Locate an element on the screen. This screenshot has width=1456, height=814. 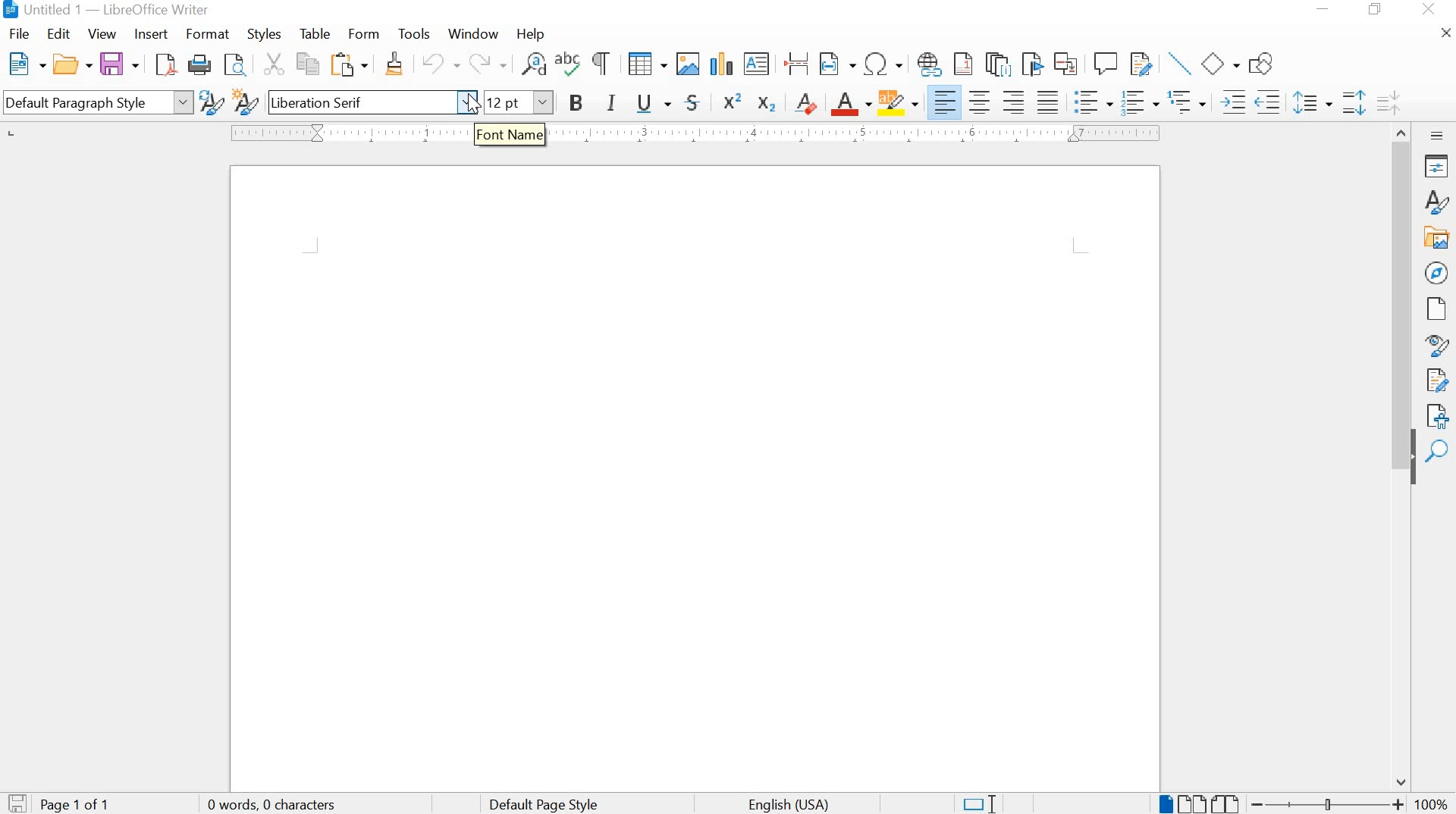
BASIC SHAPES is located at coordinates (1221, 62).